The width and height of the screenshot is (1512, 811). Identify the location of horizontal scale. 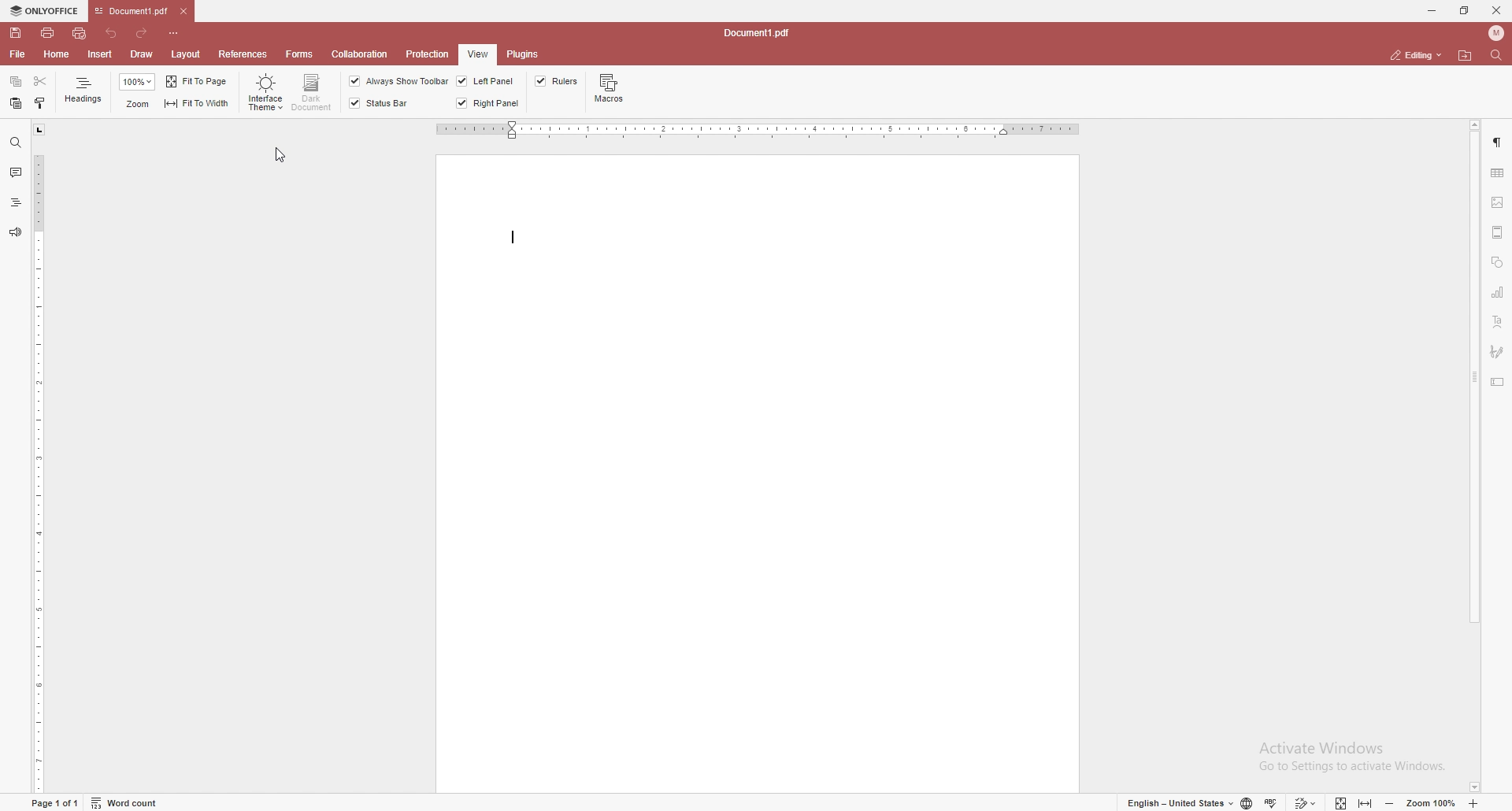
(756, 131).